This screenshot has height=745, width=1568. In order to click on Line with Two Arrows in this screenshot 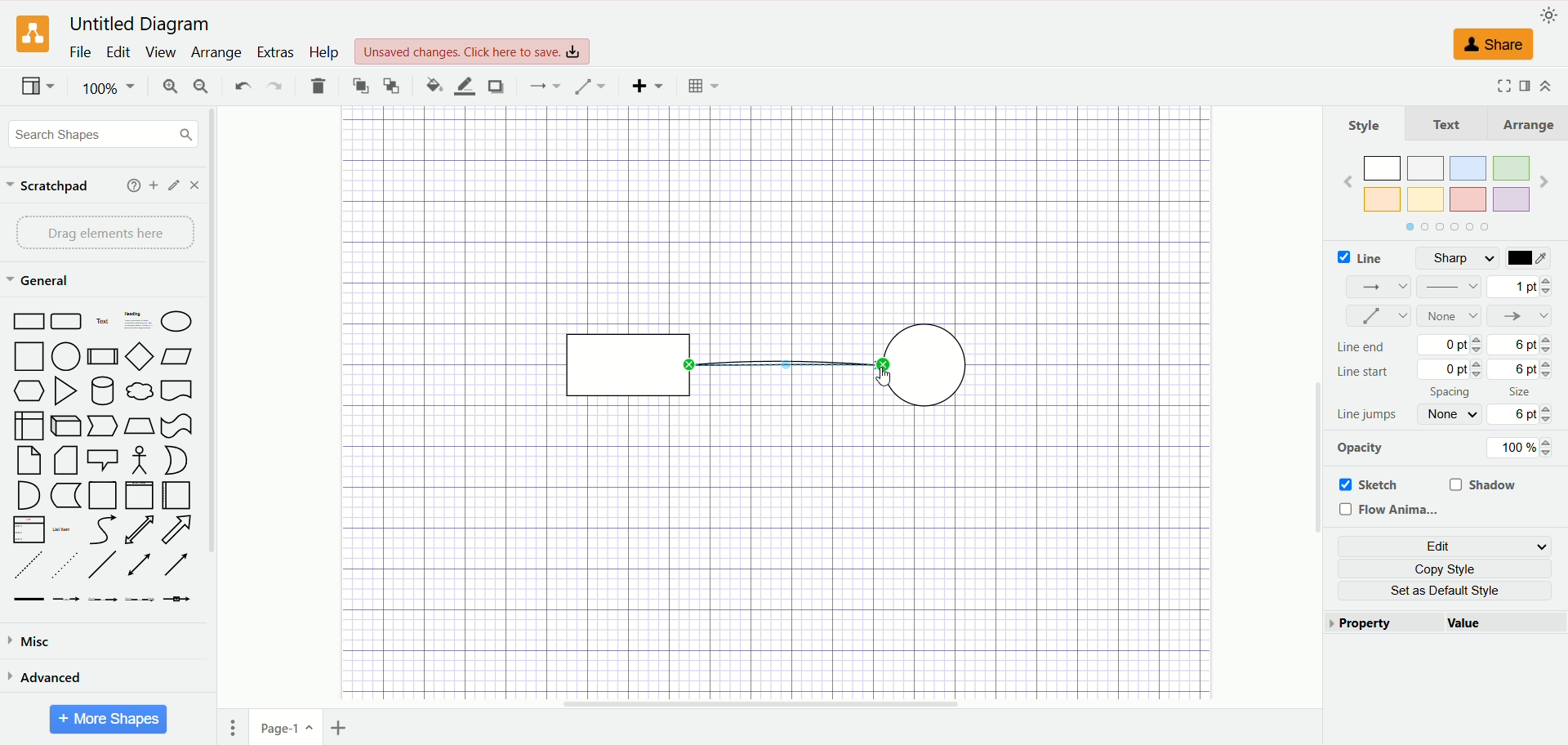, I will do `click(142, 565)`.